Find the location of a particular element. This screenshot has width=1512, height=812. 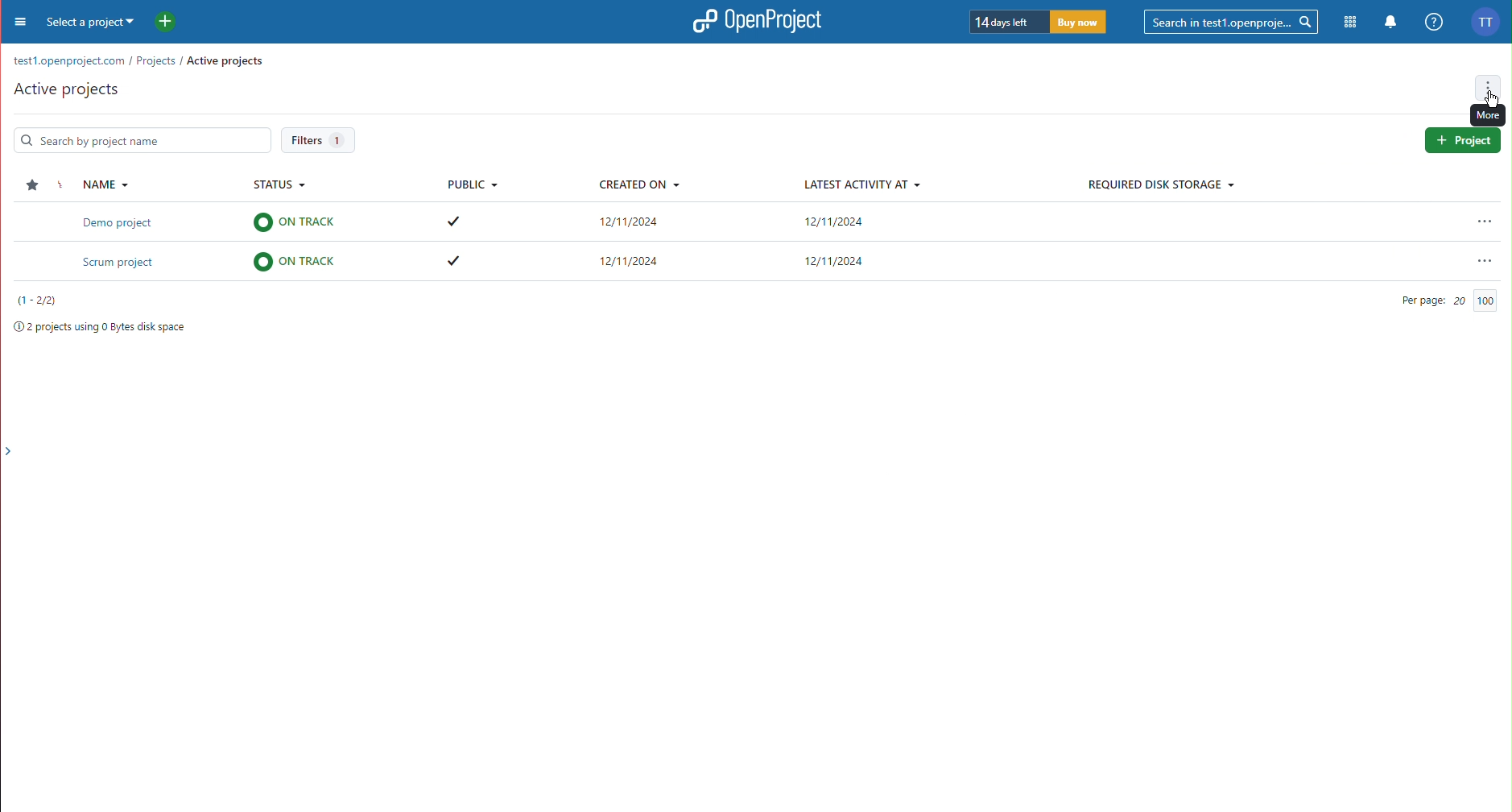

More is located at coordinates (1489, 88).